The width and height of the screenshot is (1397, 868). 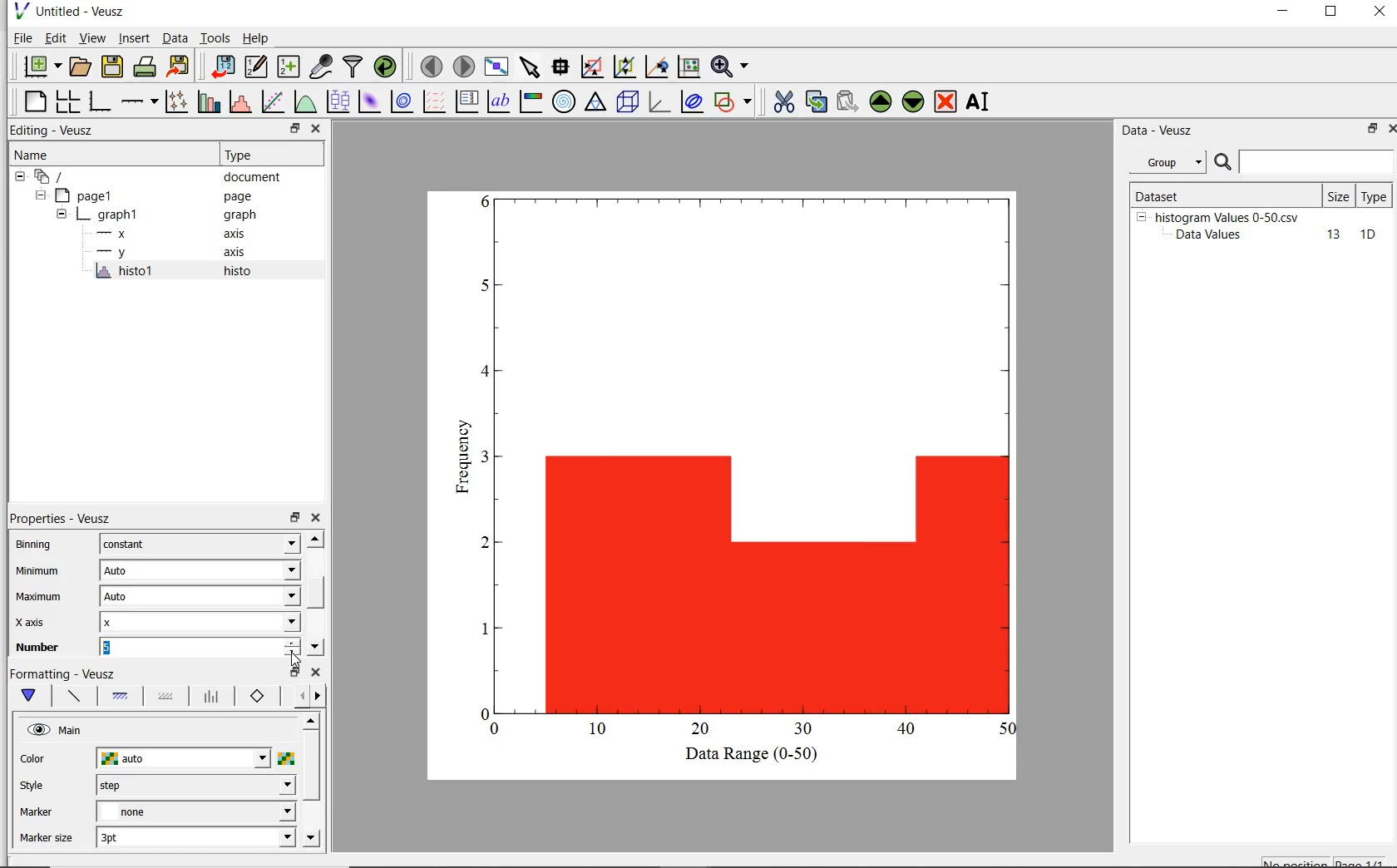 What do you see at coordinates (913, 104) in the screenshot?
I see `move down the selected widget` at bounding box center [913, 104].